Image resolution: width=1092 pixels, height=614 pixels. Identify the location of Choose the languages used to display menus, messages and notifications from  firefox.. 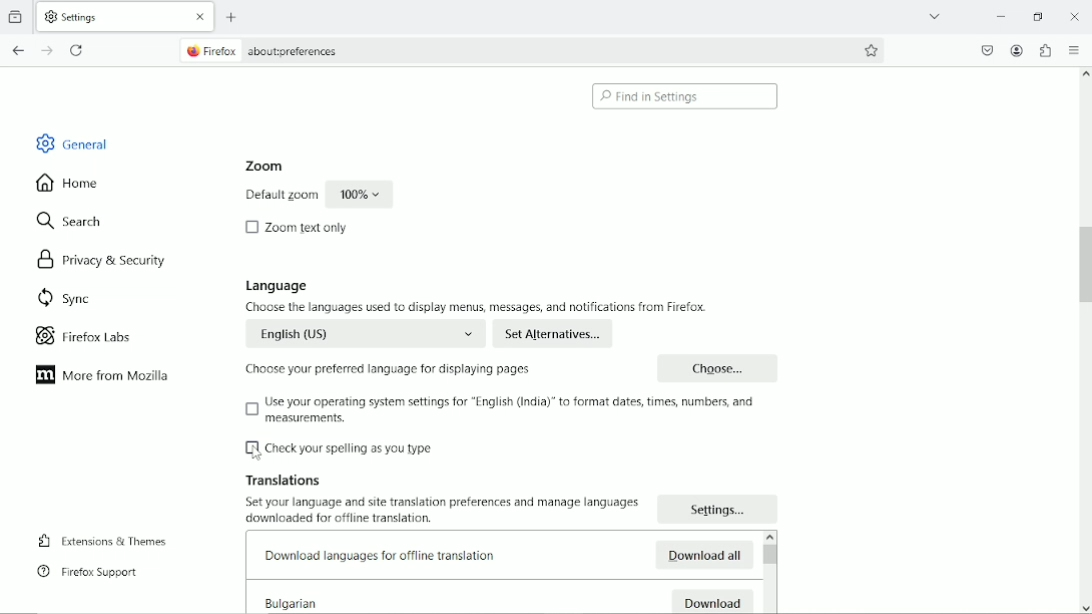
(503, 309).